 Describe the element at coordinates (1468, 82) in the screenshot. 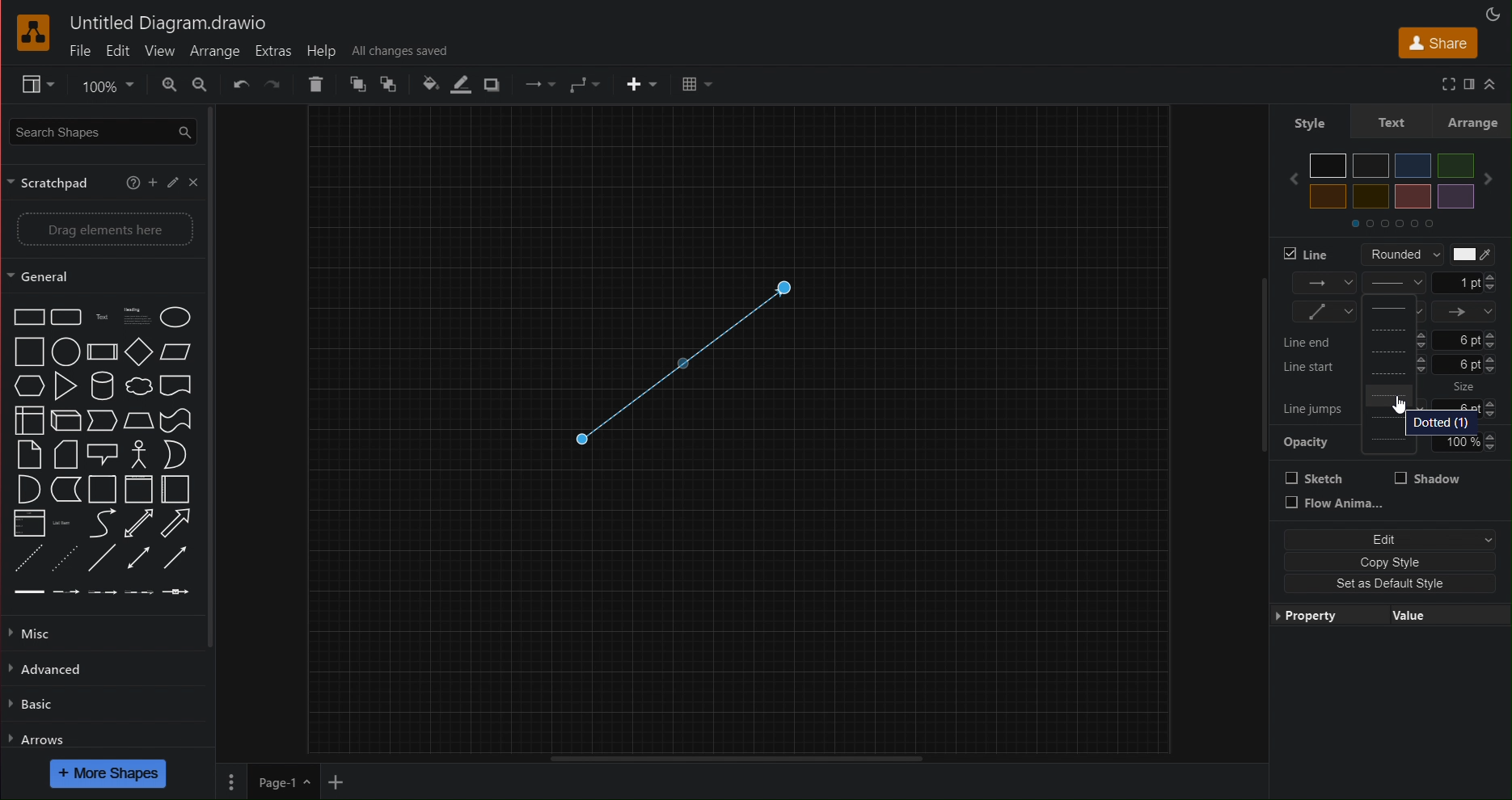

I see `bookmark text` at that location.